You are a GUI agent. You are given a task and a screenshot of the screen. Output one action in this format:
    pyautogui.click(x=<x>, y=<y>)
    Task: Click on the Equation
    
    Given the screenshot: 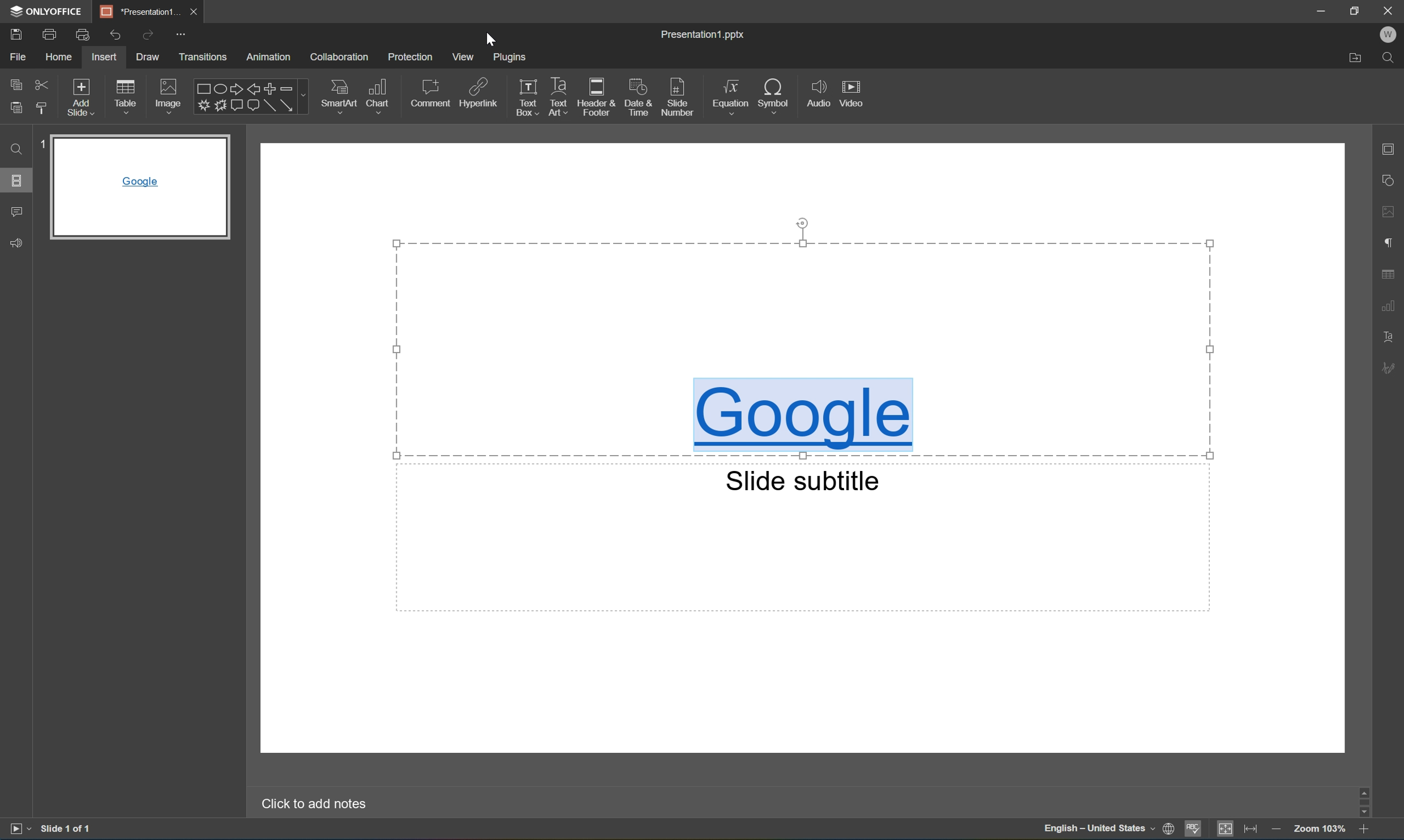 What is the action you would take?
    pyautogui.click(x=731, y=98)
    